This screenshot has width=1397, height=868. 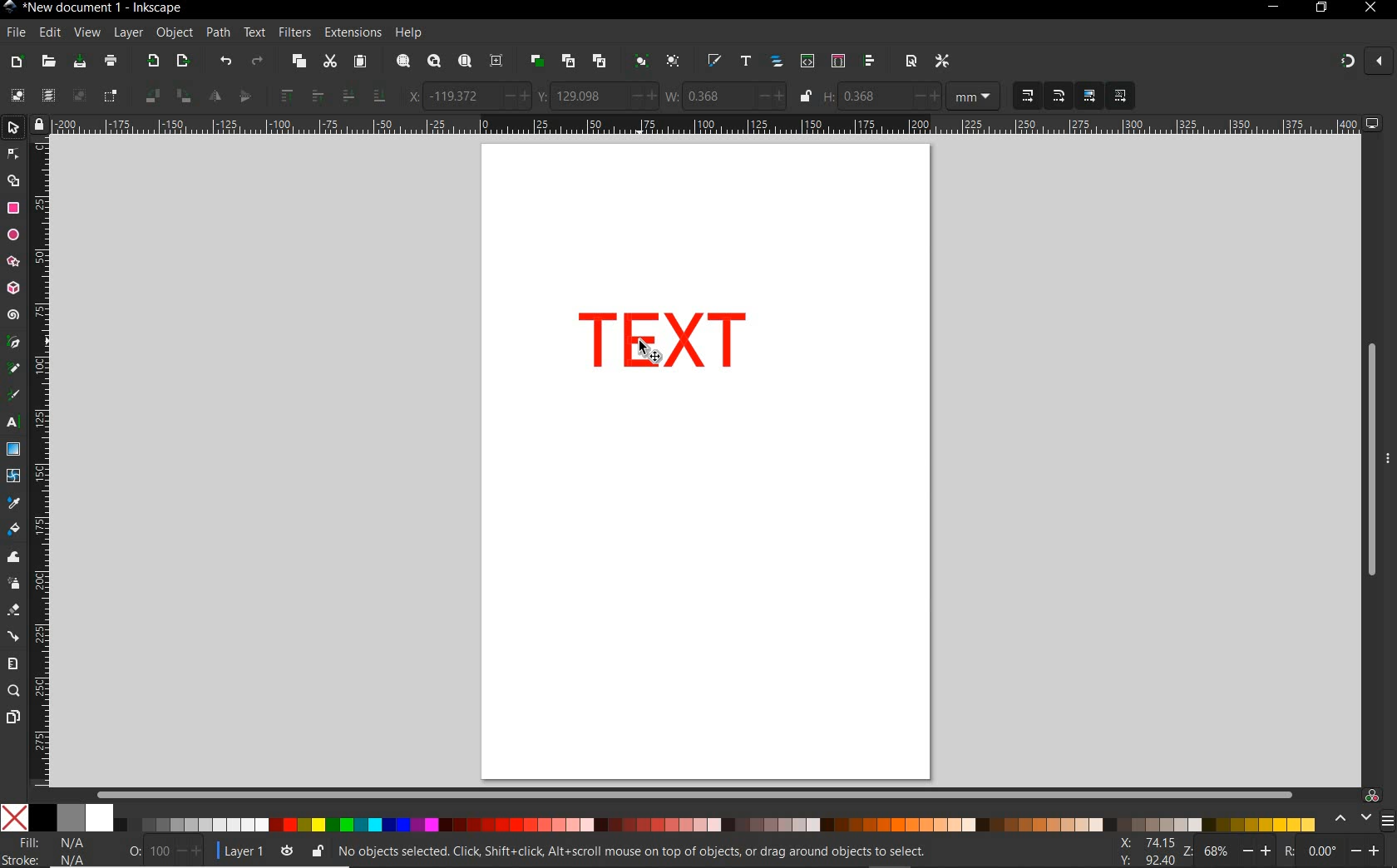 What do you see at coordinates (658, 817) in the screenshot?
I see `COLOR MODE` at bounding box center [658, 817].